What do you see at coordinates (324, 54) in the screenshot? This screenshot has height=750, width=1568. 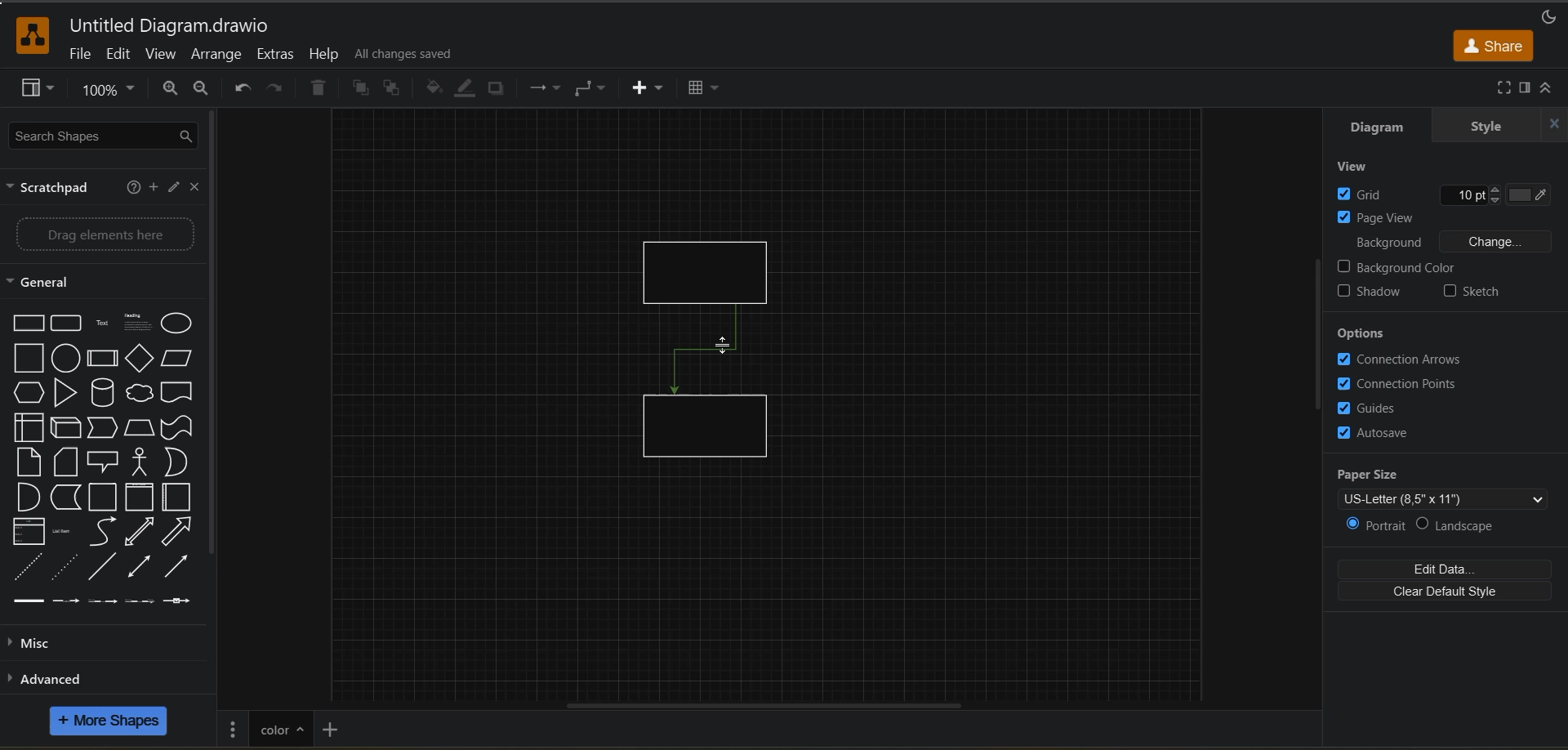 I see `help` at bounding box center [324, 54].